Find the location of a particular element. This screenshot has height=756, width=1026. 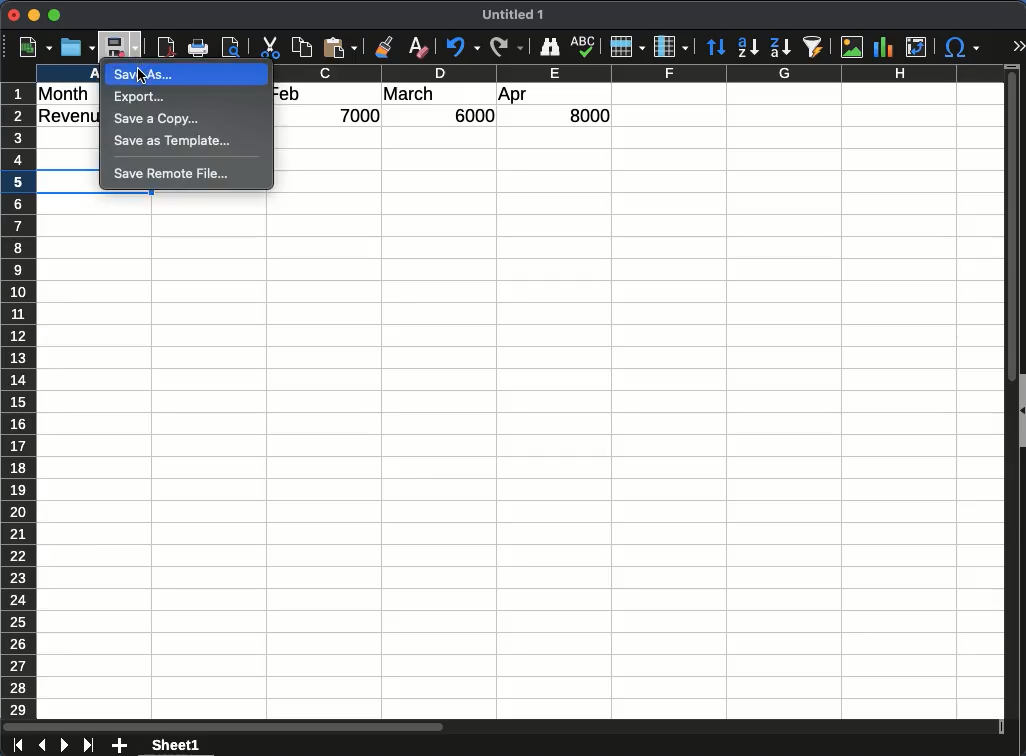

first sheet is located at coordinates (16, 746).